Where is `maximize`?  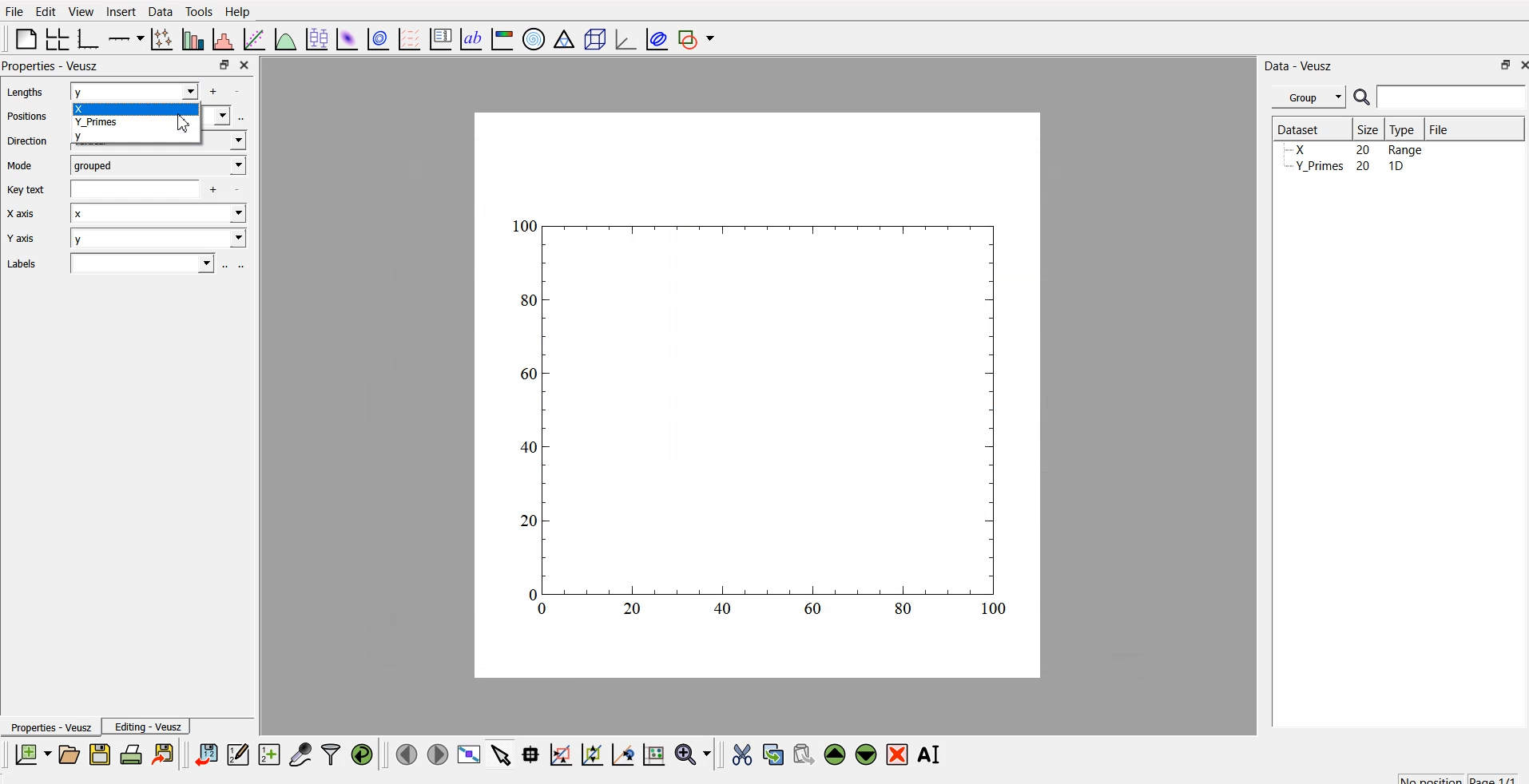 maximize is located at coordinates (1499, 65).